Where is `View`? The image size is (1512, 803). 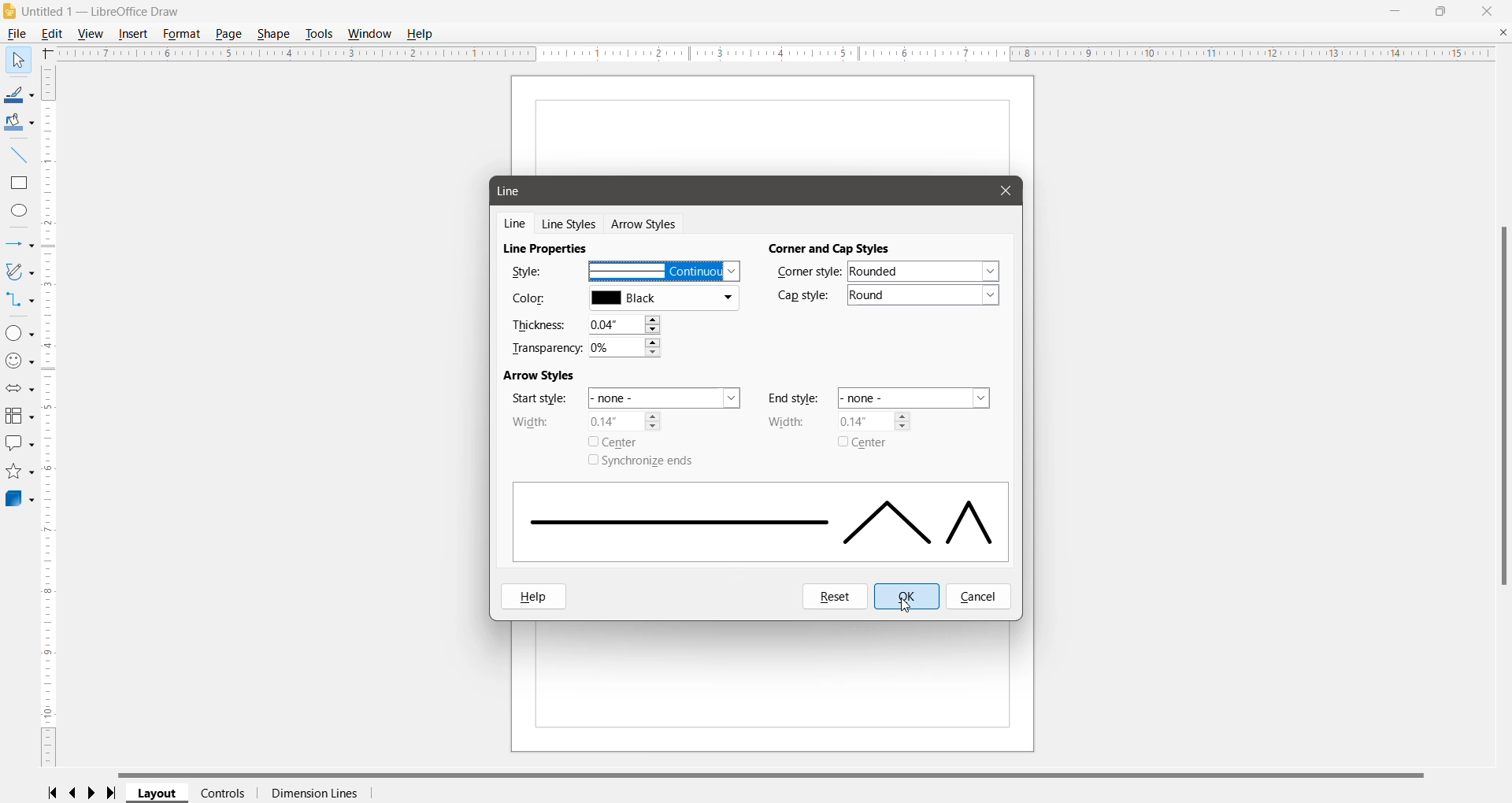
View is located at coordinates (92, 34).